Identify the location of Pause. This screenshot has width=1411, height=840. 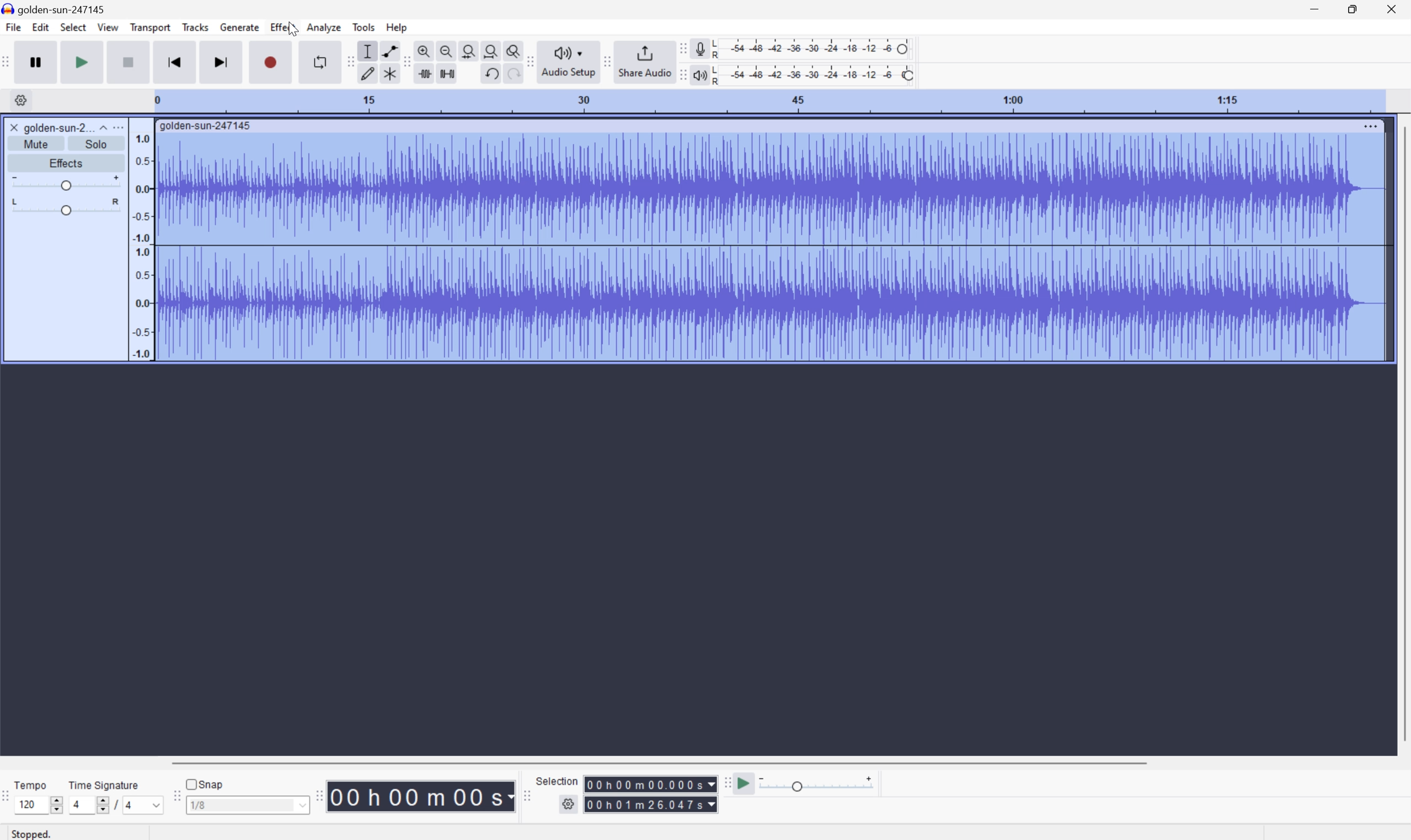
(40, 62).